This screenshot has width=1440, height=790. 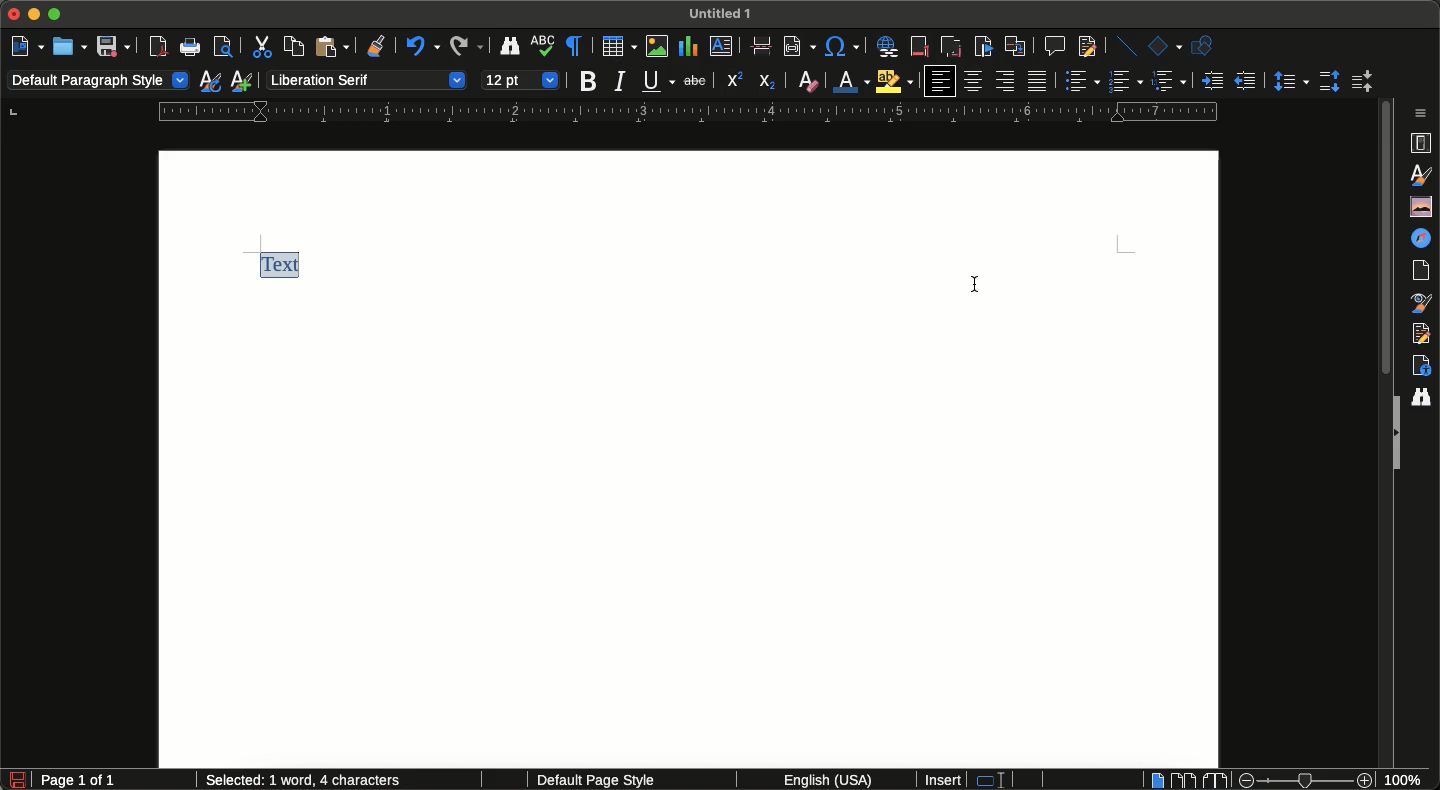 What do you see at coordinates (1127, 81) in the screenshot?
I see `Toggle ordered list` at bounding box center [1127, 81].